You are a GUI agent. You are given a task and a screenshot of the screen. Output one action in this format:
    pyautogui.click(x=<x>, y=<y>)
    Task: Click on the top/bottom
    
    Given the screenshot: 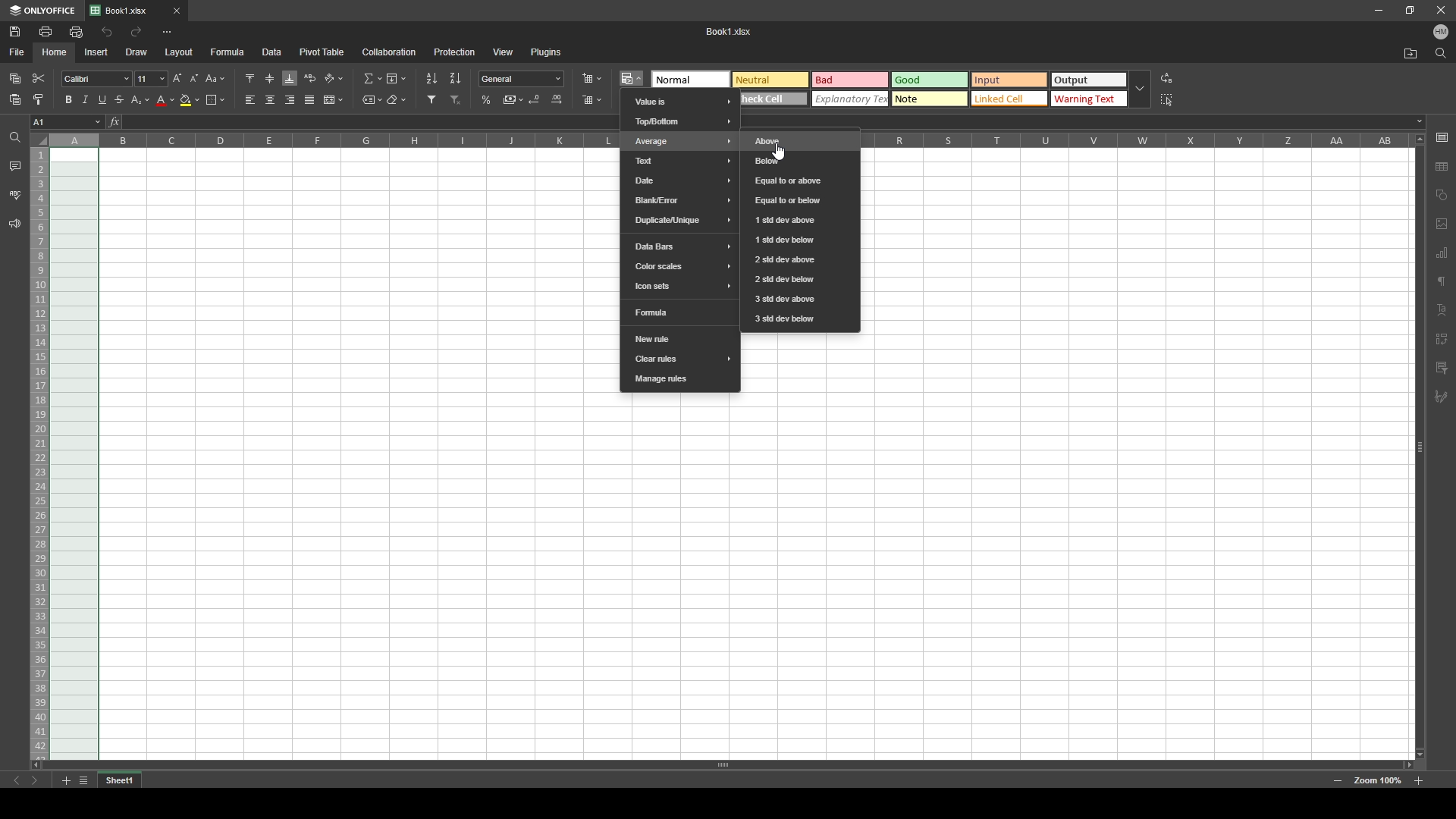 What is the action you would take?
    pyautogui.click(x=680, y=121)
    